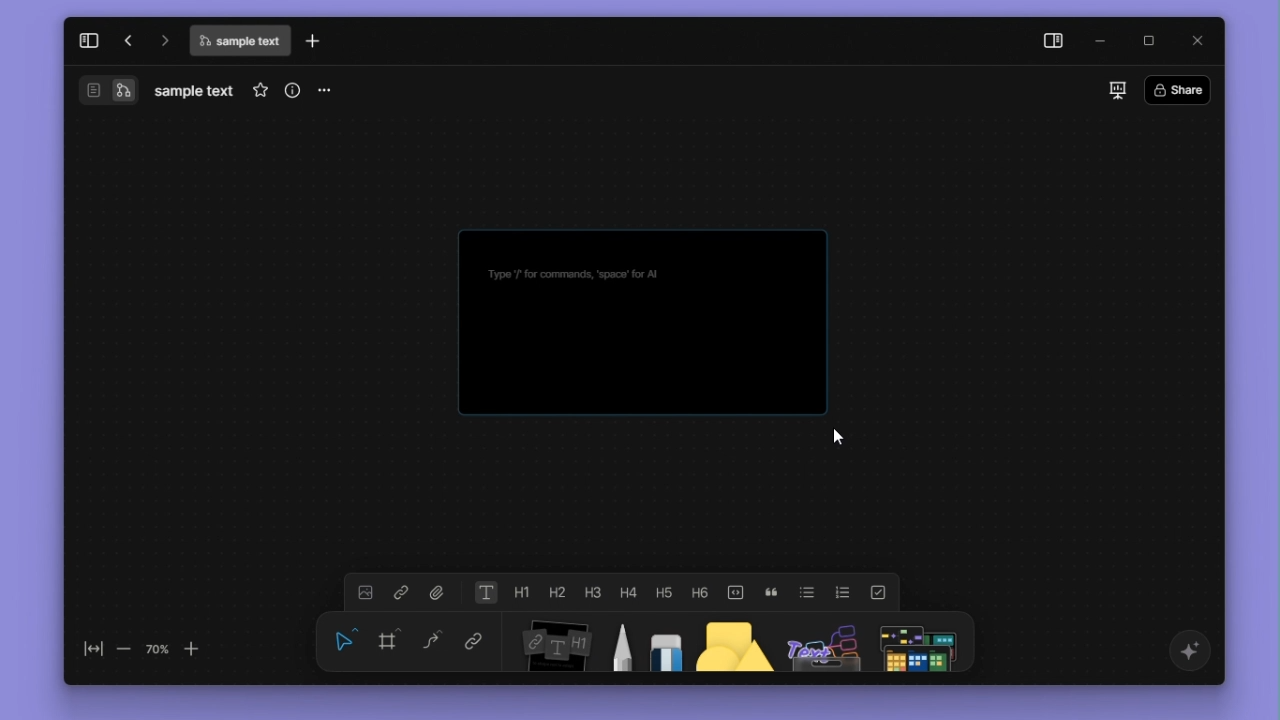 The width and height of the screenshot is (1280, 720). Describe the element at coordinates (522, 592) in the screenshot. I see `heading 1` at that location.